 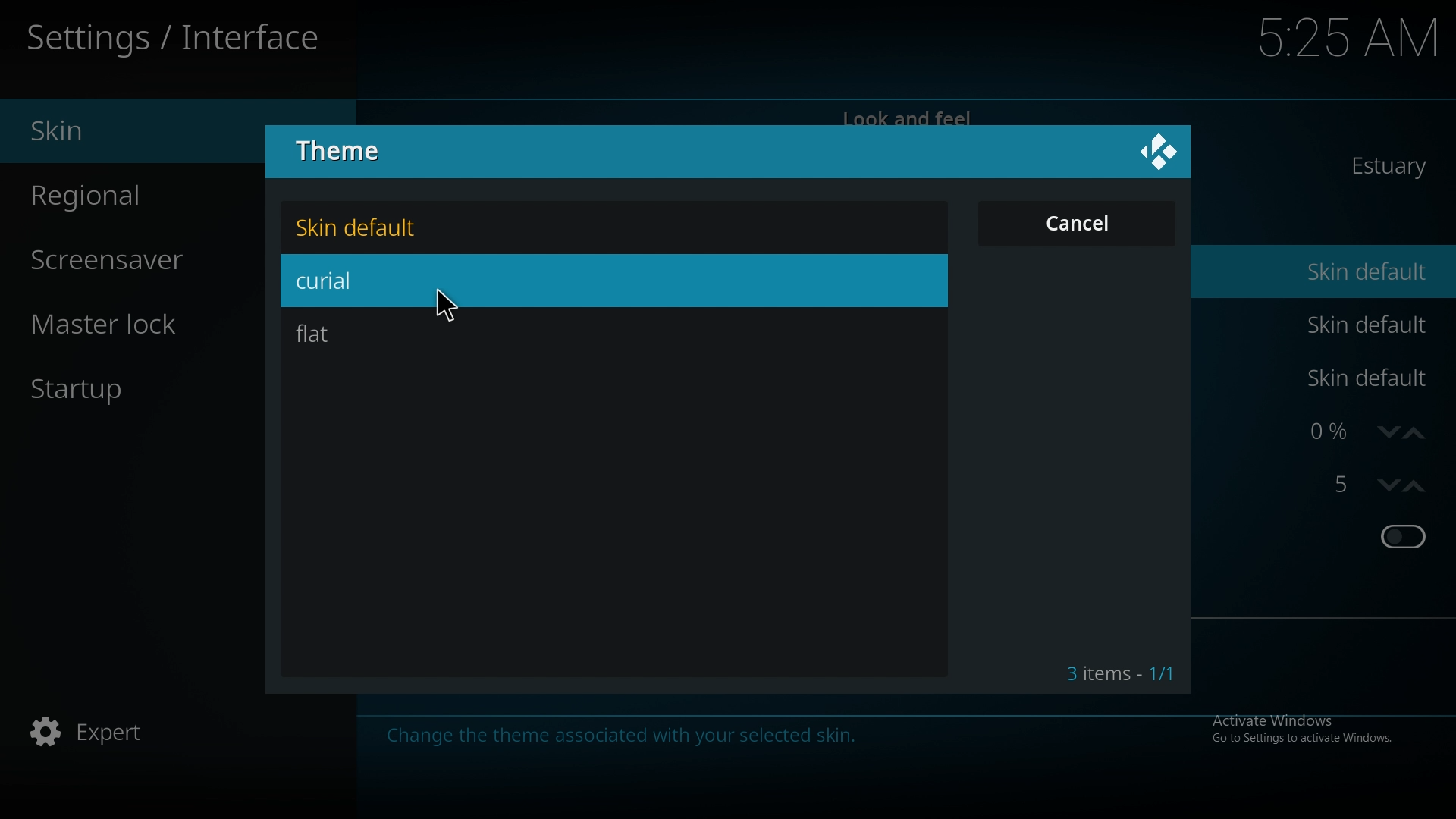 I want to click on strereoscopic 3d effect strength, so click(x=1336, y=488).